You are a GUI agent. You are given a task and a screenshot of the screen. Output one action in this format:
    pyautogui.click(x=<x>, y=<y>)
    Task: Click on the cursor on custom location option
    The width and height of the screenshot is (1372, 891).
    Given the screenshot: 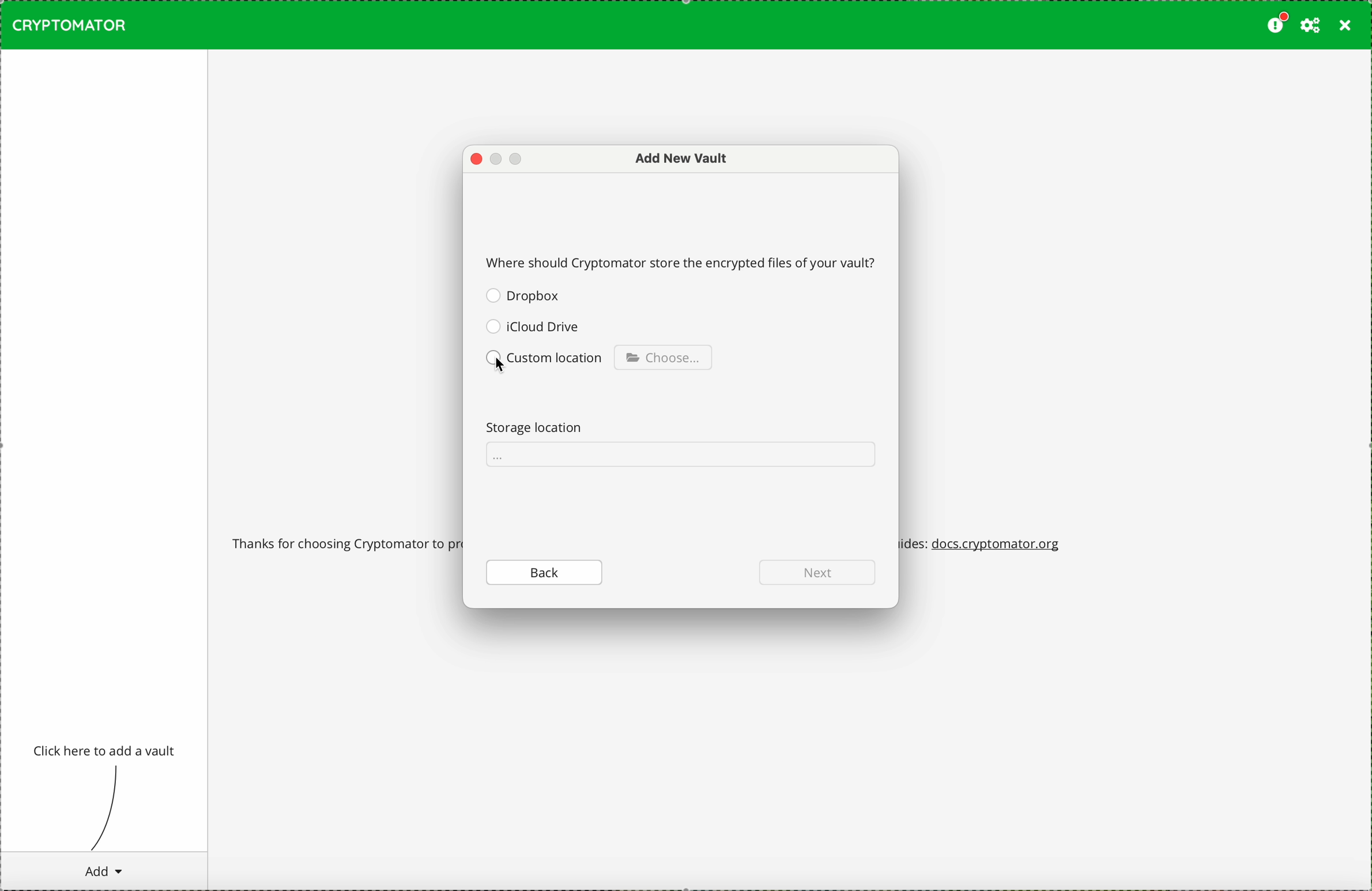 What is the action you would take?
    pyautogui.click(x=546, y=362)
    